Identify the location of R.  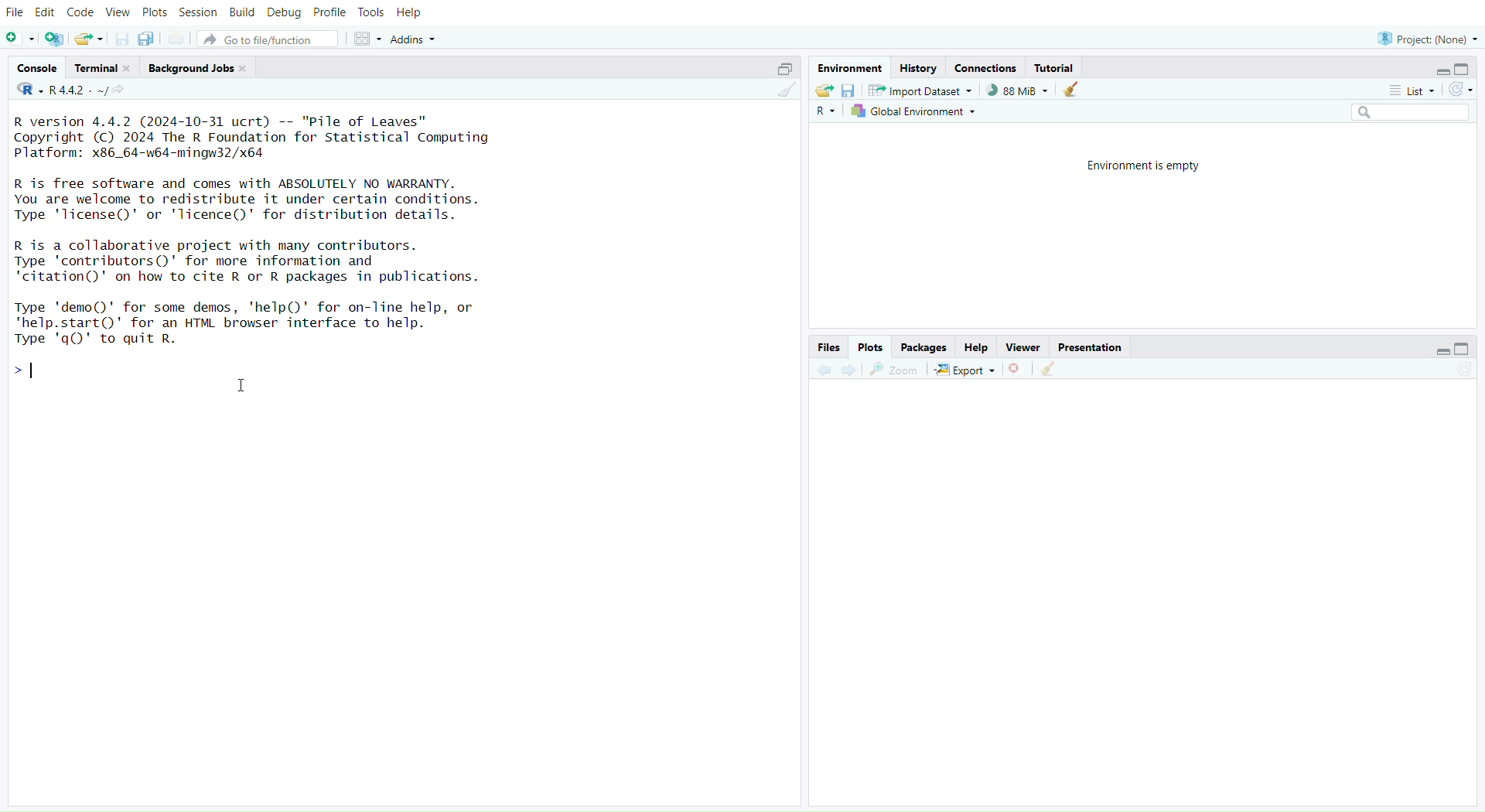
(824, 113).